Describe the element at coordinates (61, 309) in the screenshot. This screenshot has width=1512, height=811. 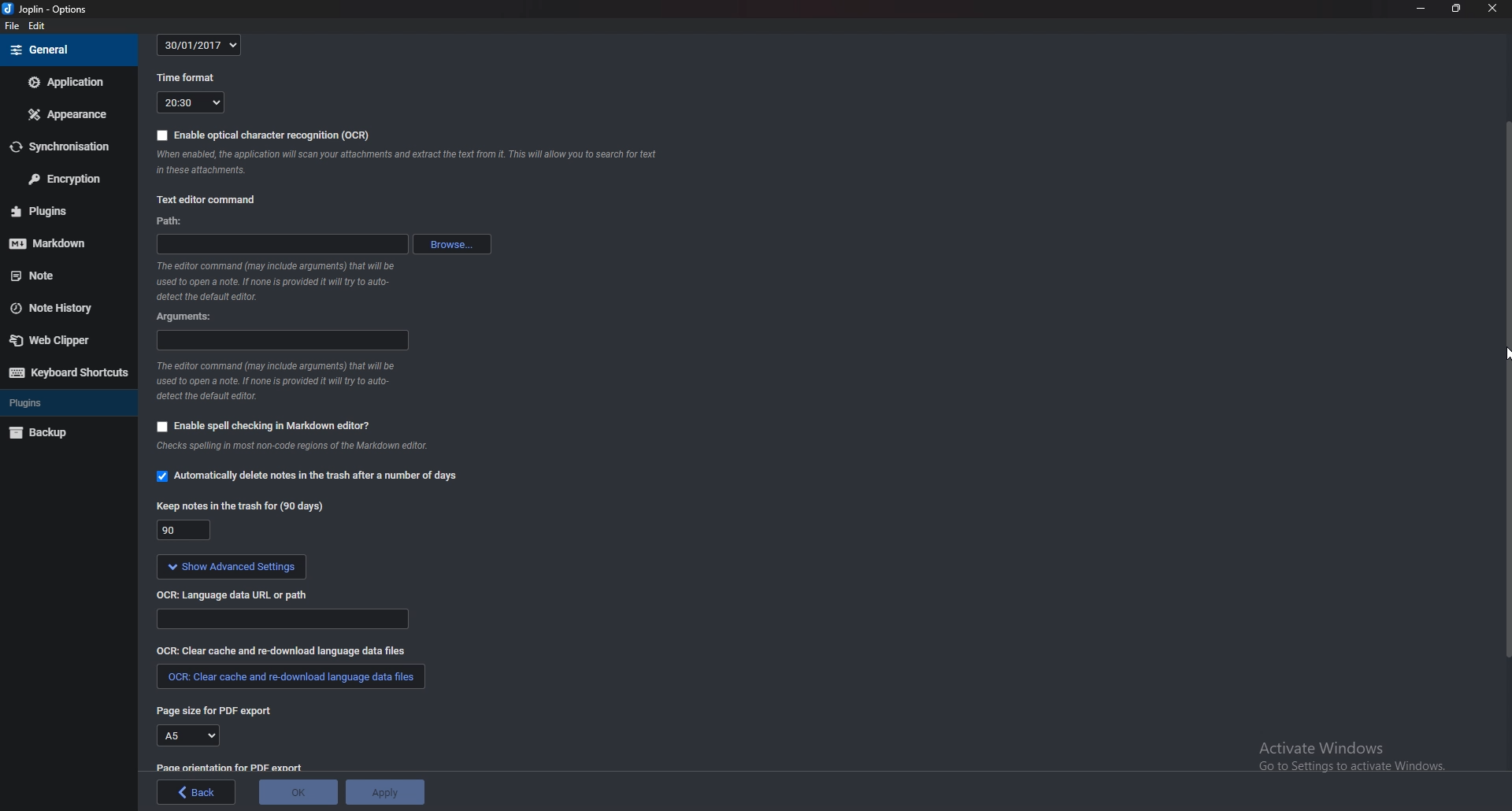
I see `Note history` at that location.